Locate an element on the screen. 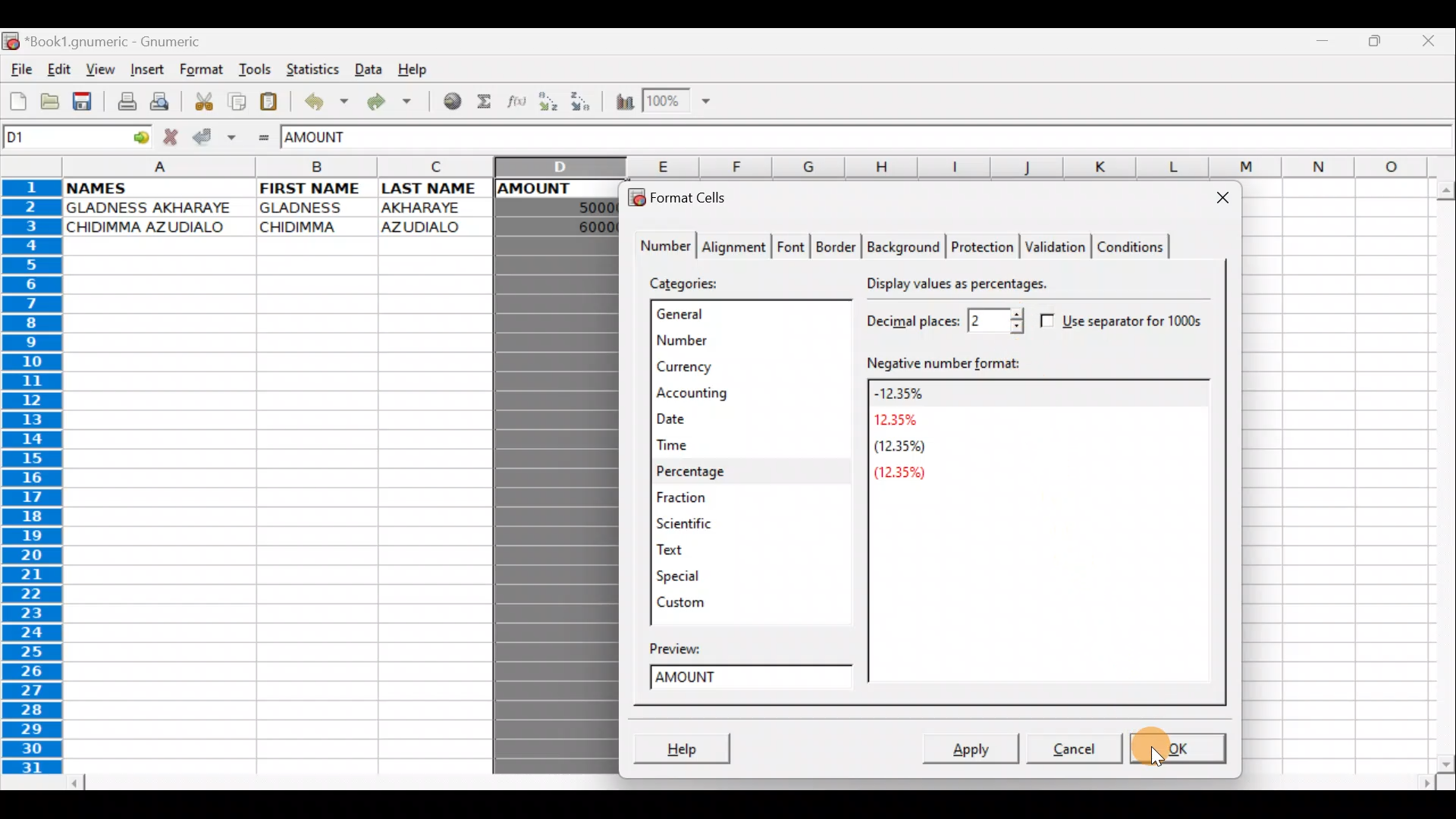 The height and width of the screenshot is (819, 1456). (12%) is located at coordinates (897, 449).